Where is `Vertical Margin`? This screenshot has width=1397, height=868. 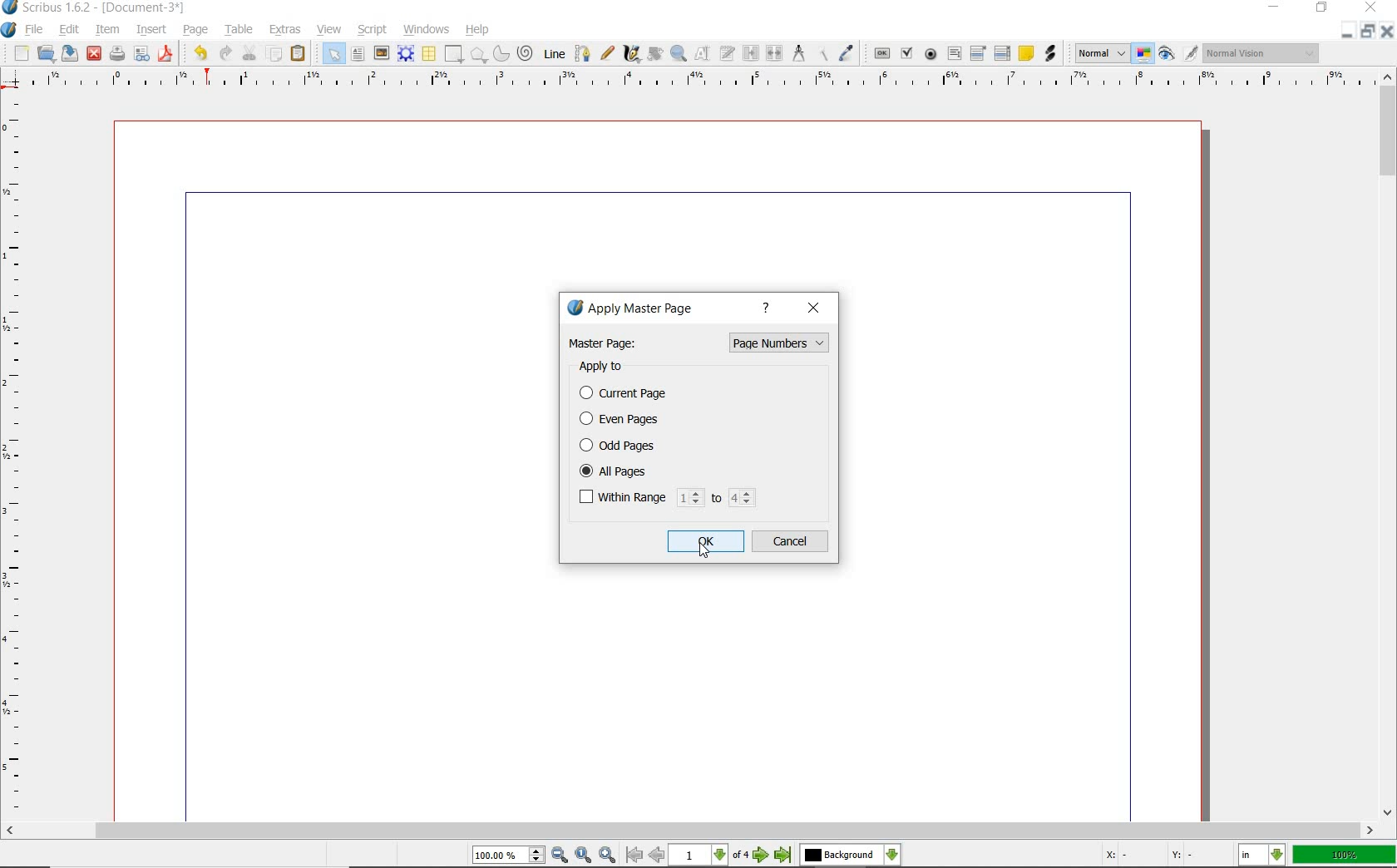
Vertical Margin is located at coordinates (18, 457).